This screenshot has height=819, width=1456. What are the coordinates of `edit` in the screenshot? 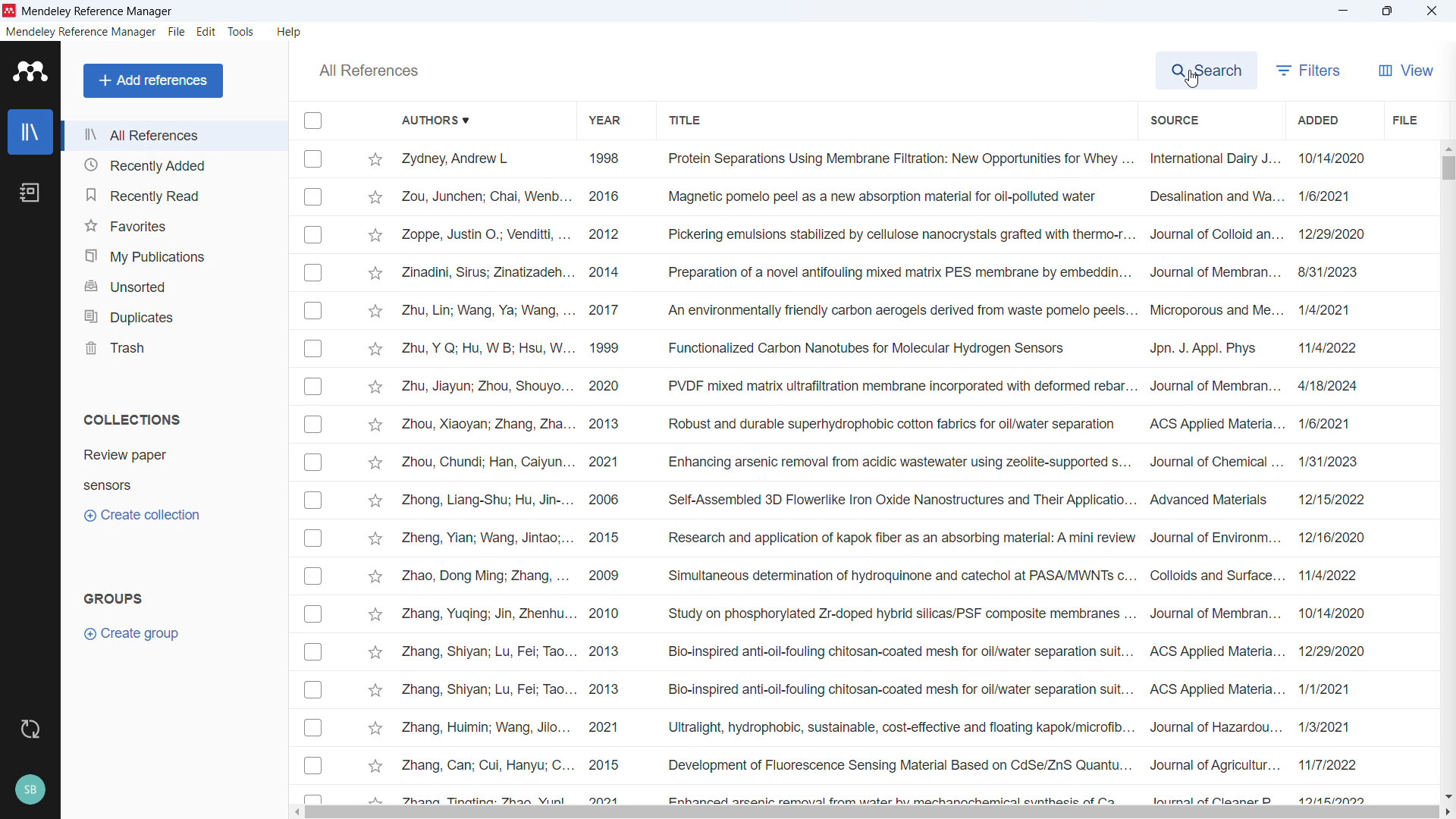 It's located at (206, 31).